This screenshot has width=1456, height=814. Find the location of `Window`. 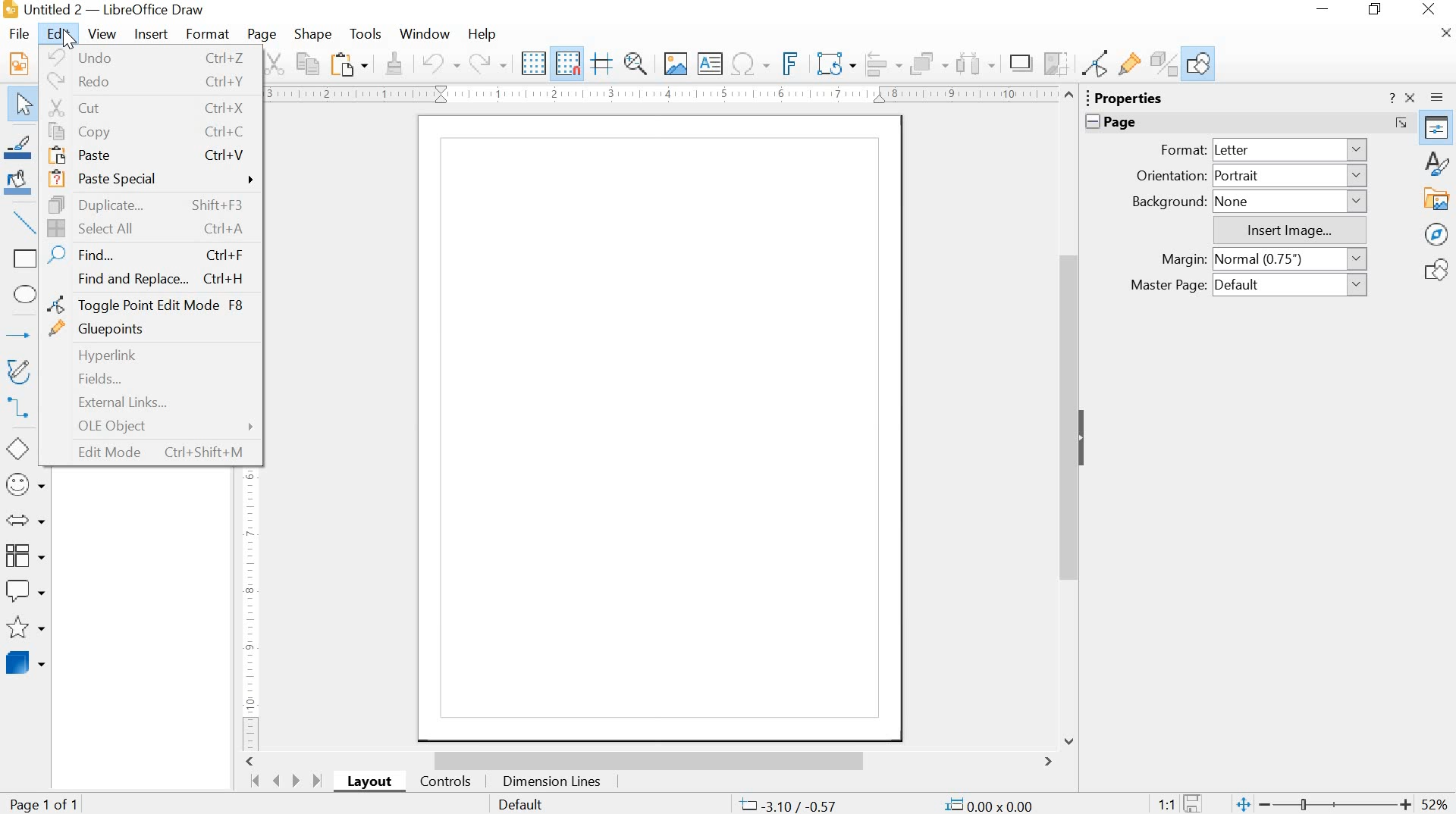

Window is located at coordinates (424, 33).